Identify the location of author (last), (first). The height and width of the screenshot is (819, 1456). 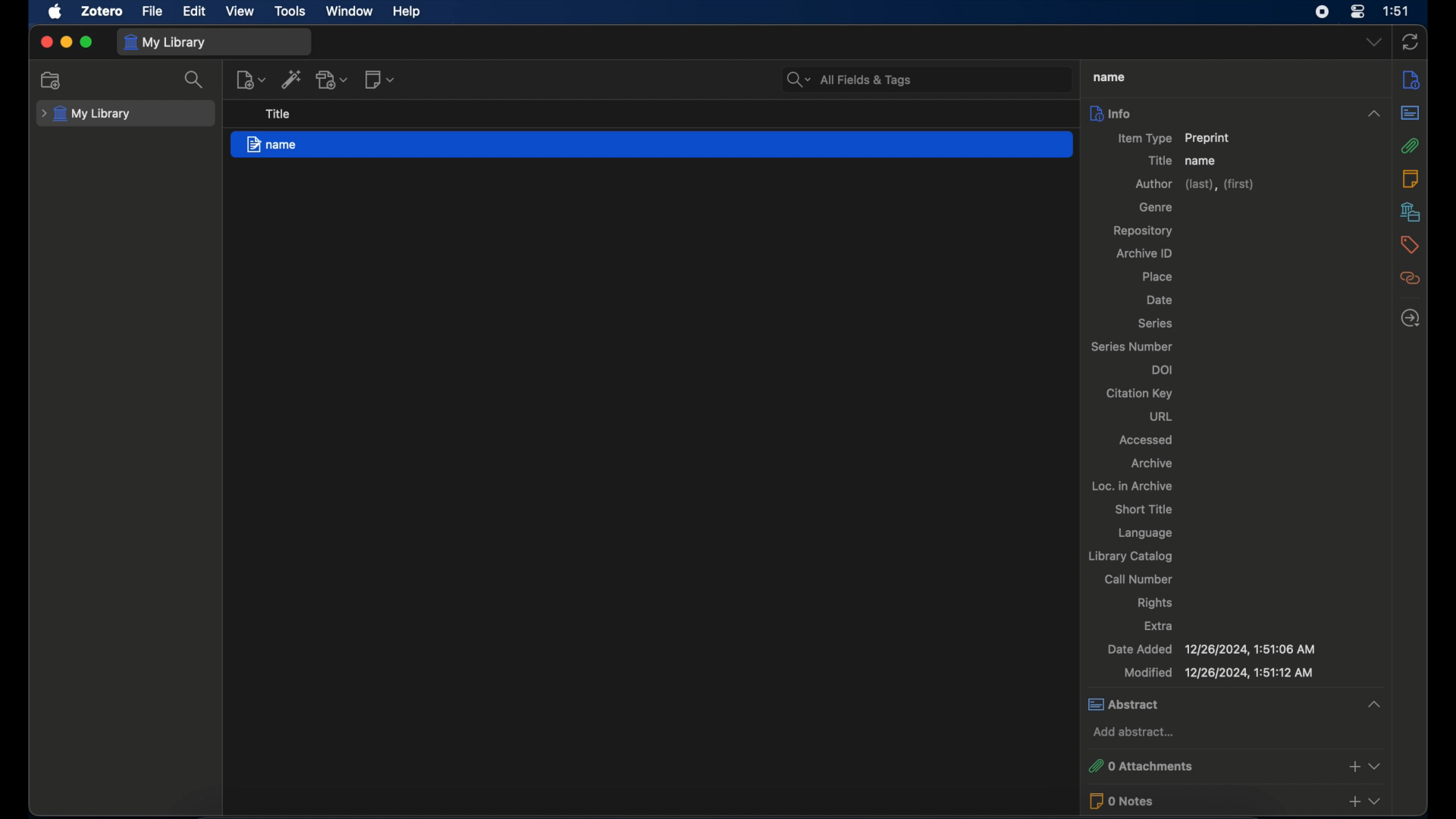
(1194, 184).